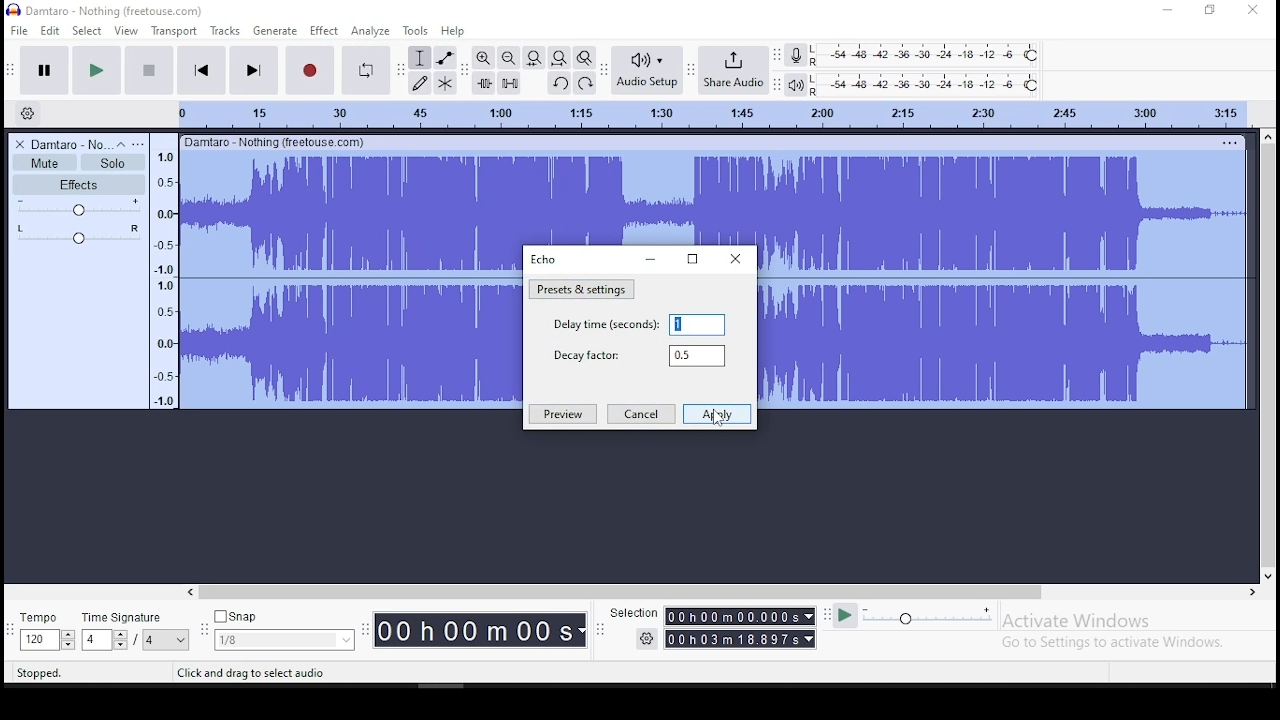 The image size is (1280, 720). I want to click on 1, so click(698, 325).